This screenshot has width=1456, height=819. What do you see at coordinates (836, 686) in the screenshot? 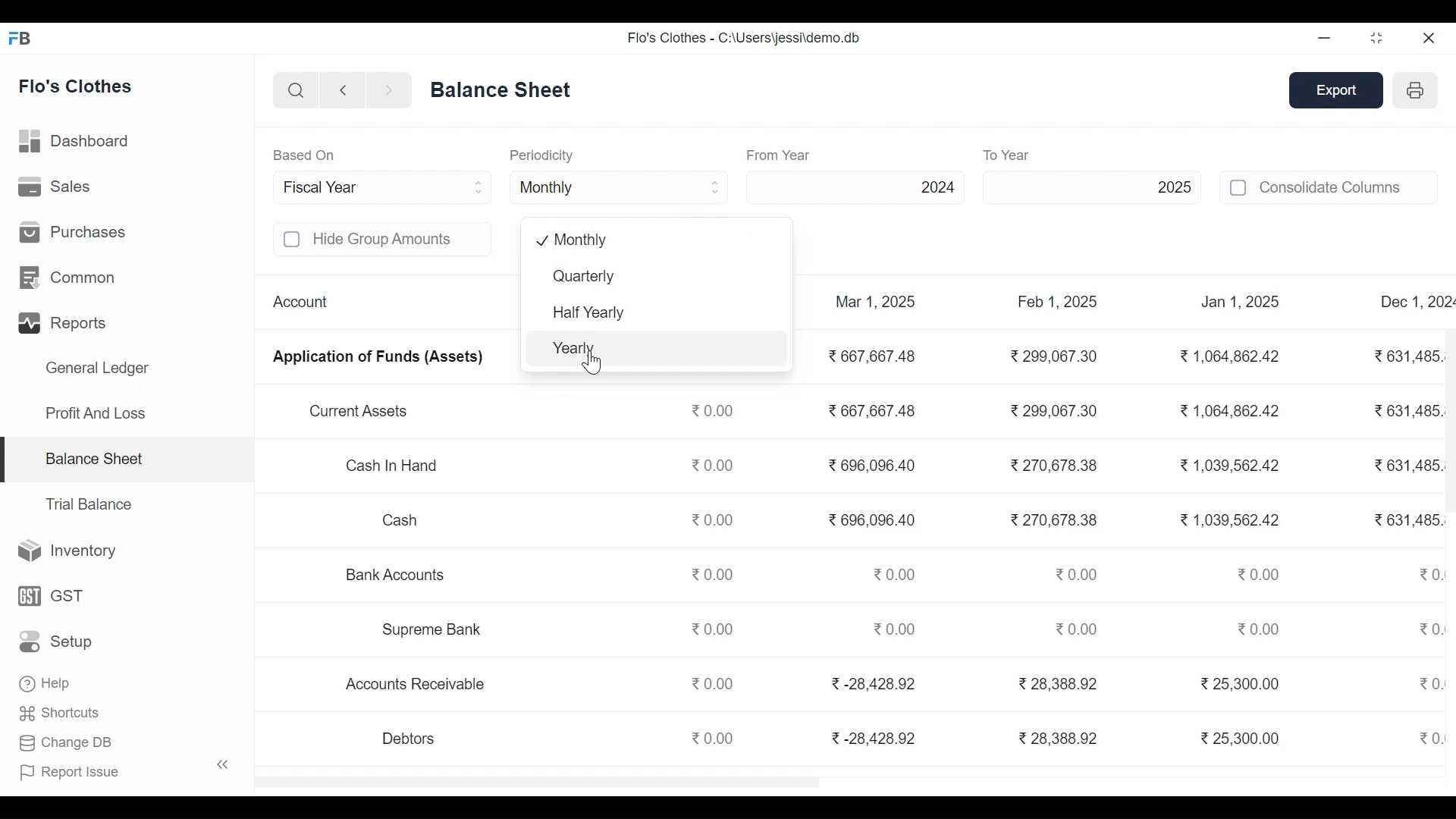
I see `Accounts Receivable 20.00 3-28,428.92 328,388.92 25,300.00` at bounding box center [836, 686].